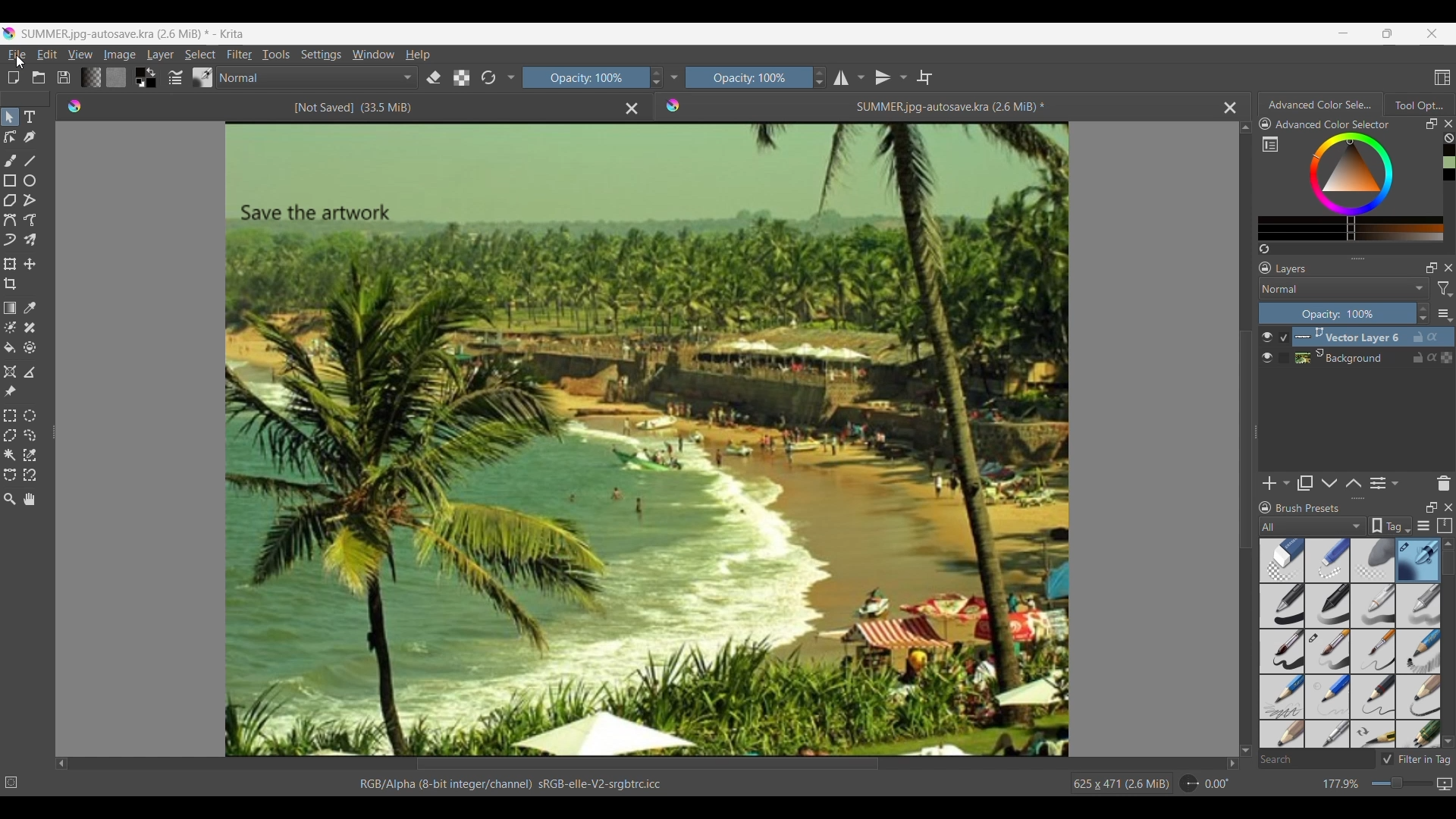  Describe the element at coordinates (1329, 483) in the screenshot. I see `Move layer/mask down` at that location.